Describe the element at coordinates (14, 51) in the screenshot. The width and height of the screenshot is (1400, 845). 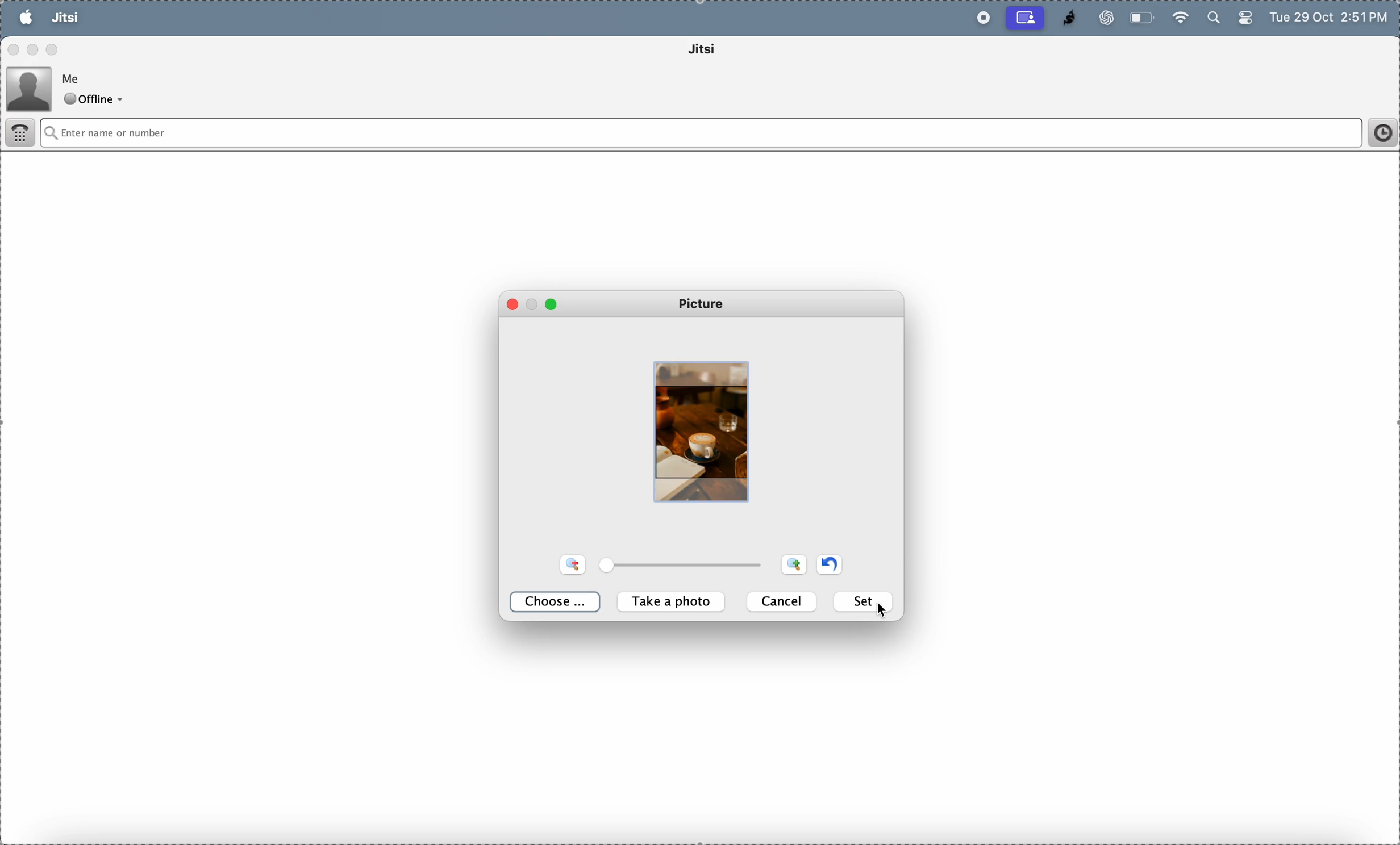
I see `close window` at that location.